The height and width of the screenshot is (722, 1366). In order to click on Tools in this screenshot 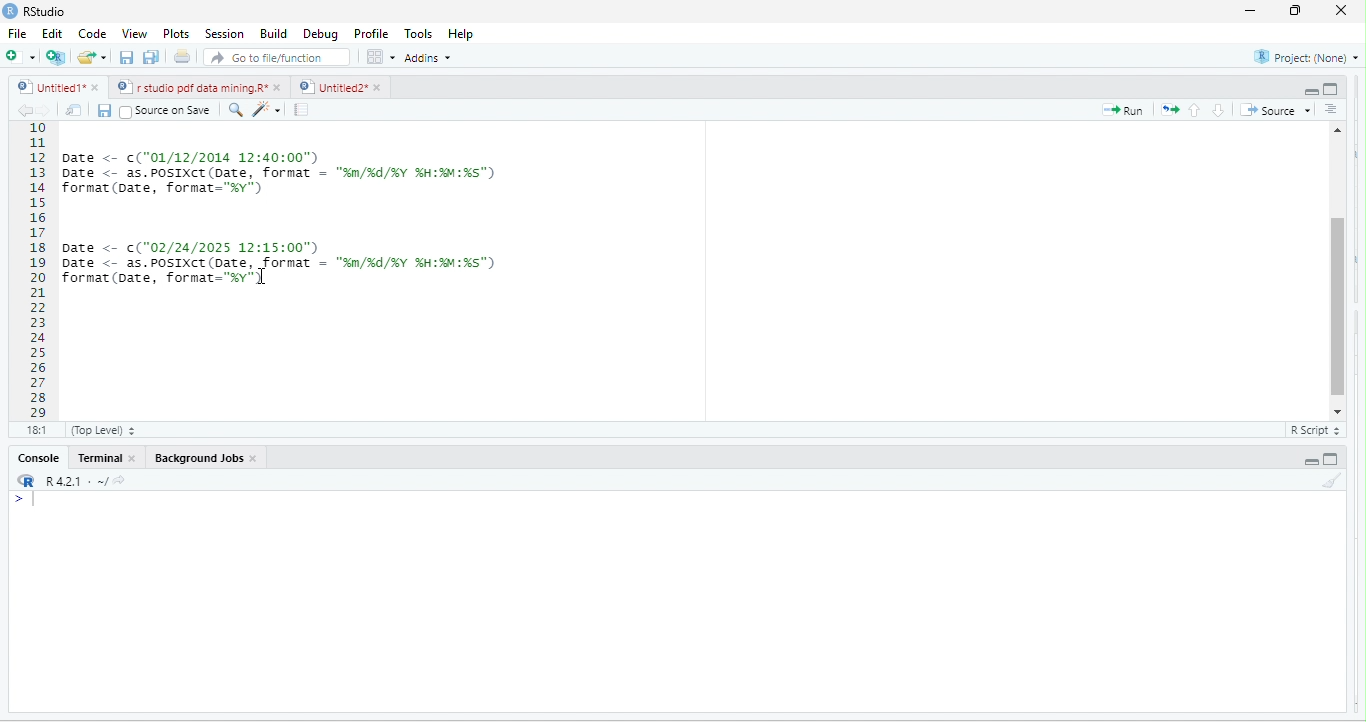, I will do `click(416, 34)`.